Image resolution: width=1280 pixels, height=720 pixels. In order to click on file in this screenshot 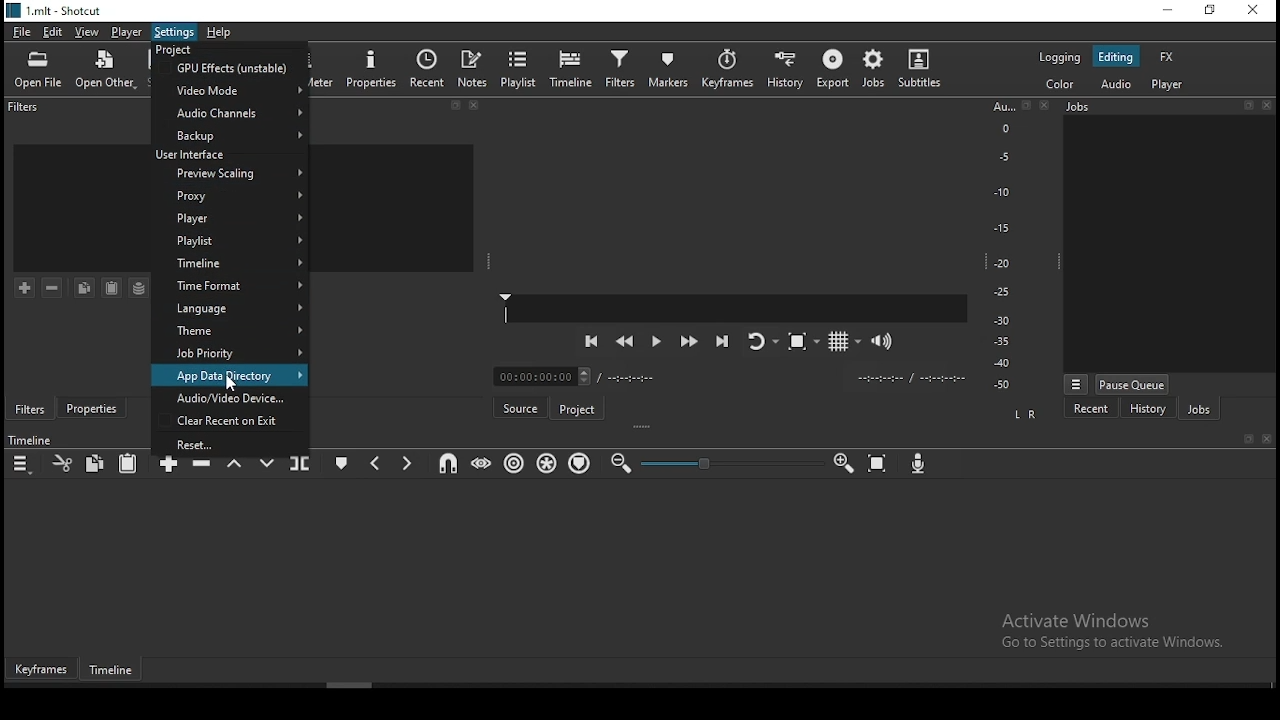, I will do `click(20, 30)`.